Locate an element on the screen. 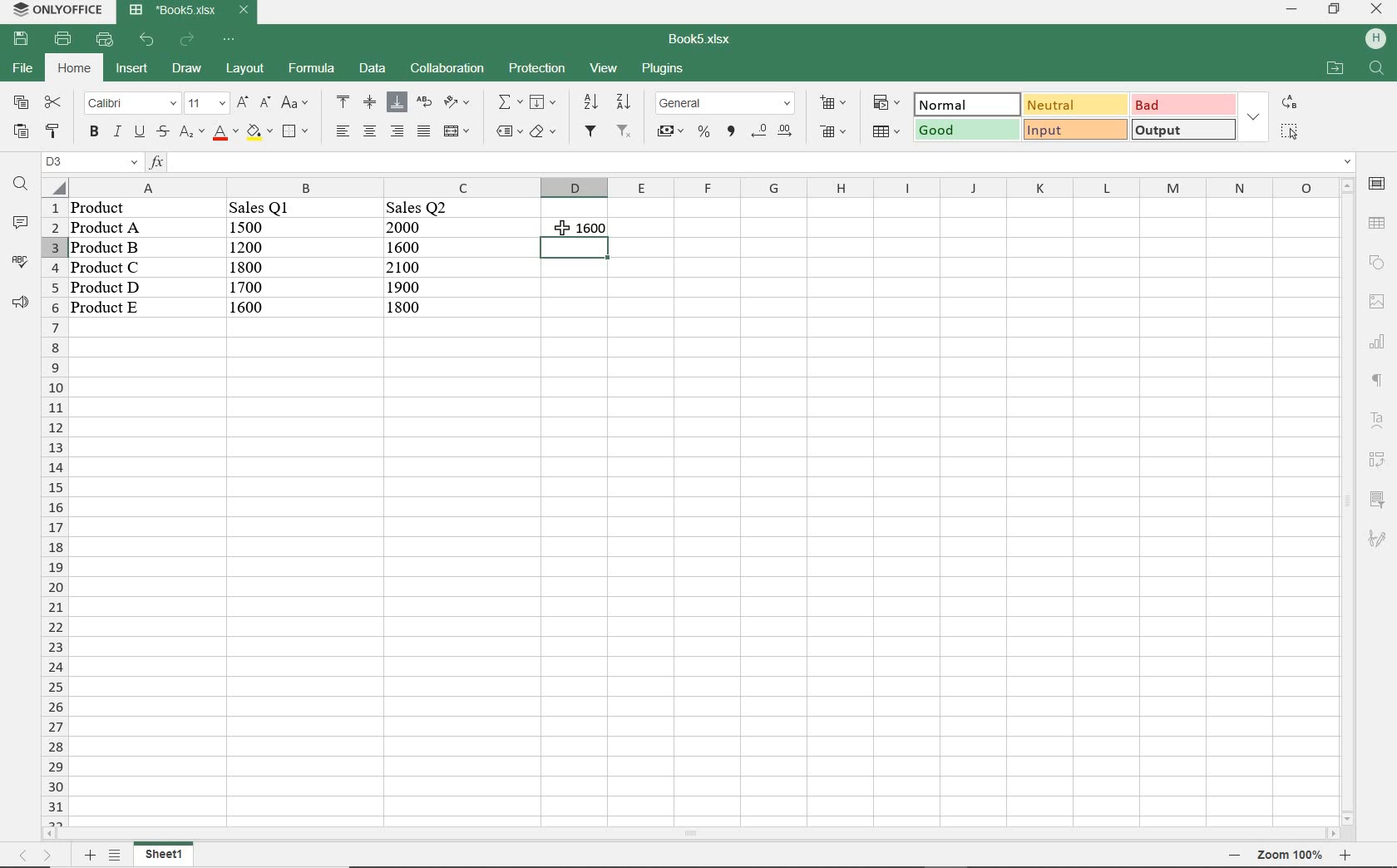 The image size is (1397, 868). collaboration is located at coordinates (447, 69).